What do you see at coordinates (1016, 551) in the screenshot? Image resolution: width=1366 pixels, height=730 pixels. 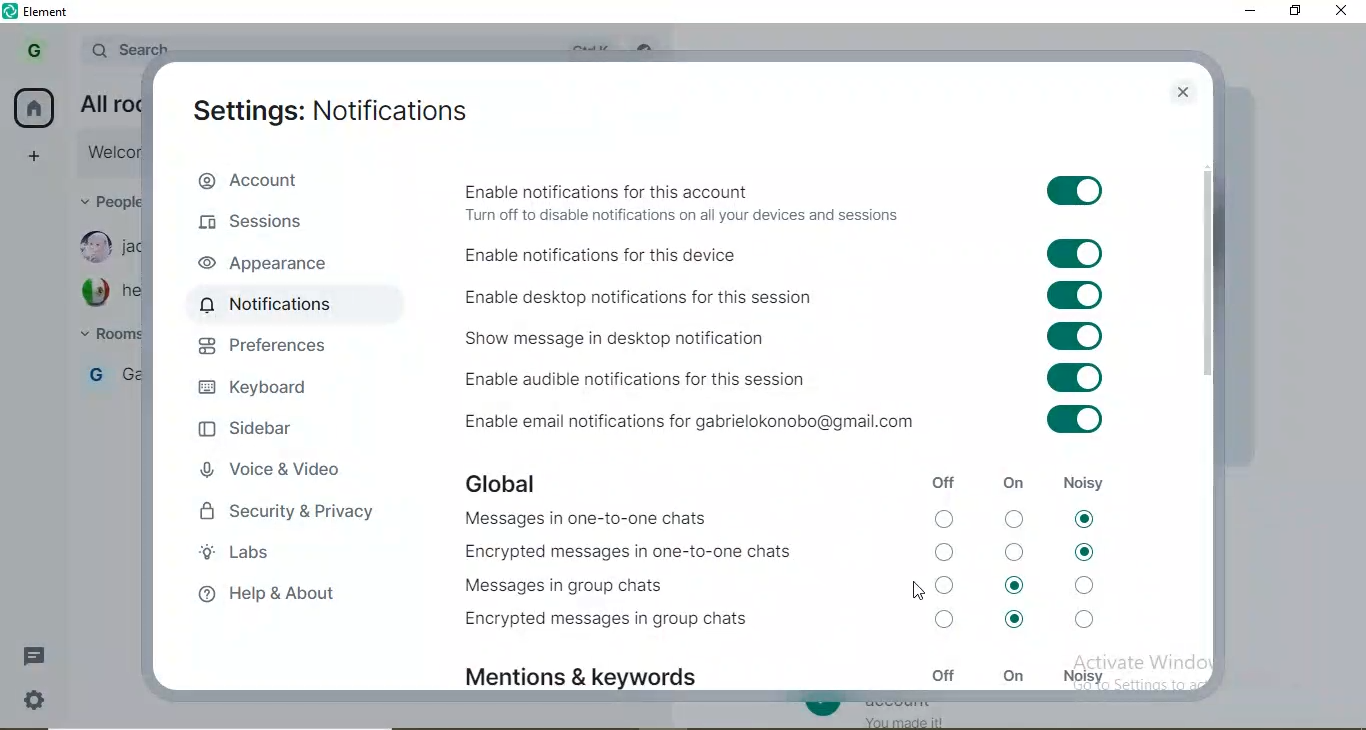 I see `switch off` at bounding box center [1016, 551].